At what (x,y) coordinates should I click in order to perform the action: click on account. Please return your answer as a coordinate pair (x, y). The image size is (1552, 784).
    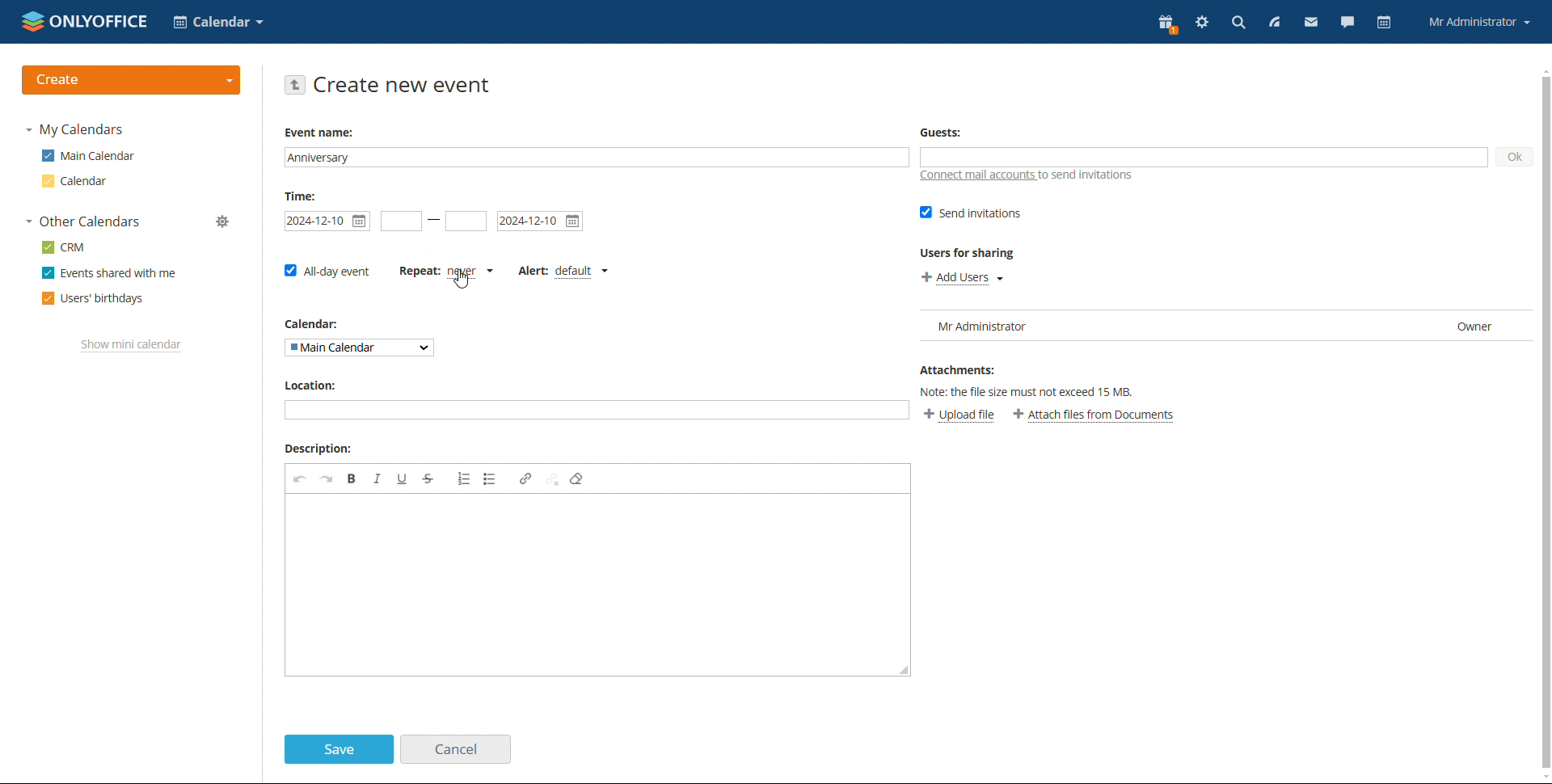
    Looking at the image, I should click on (1479, 21).